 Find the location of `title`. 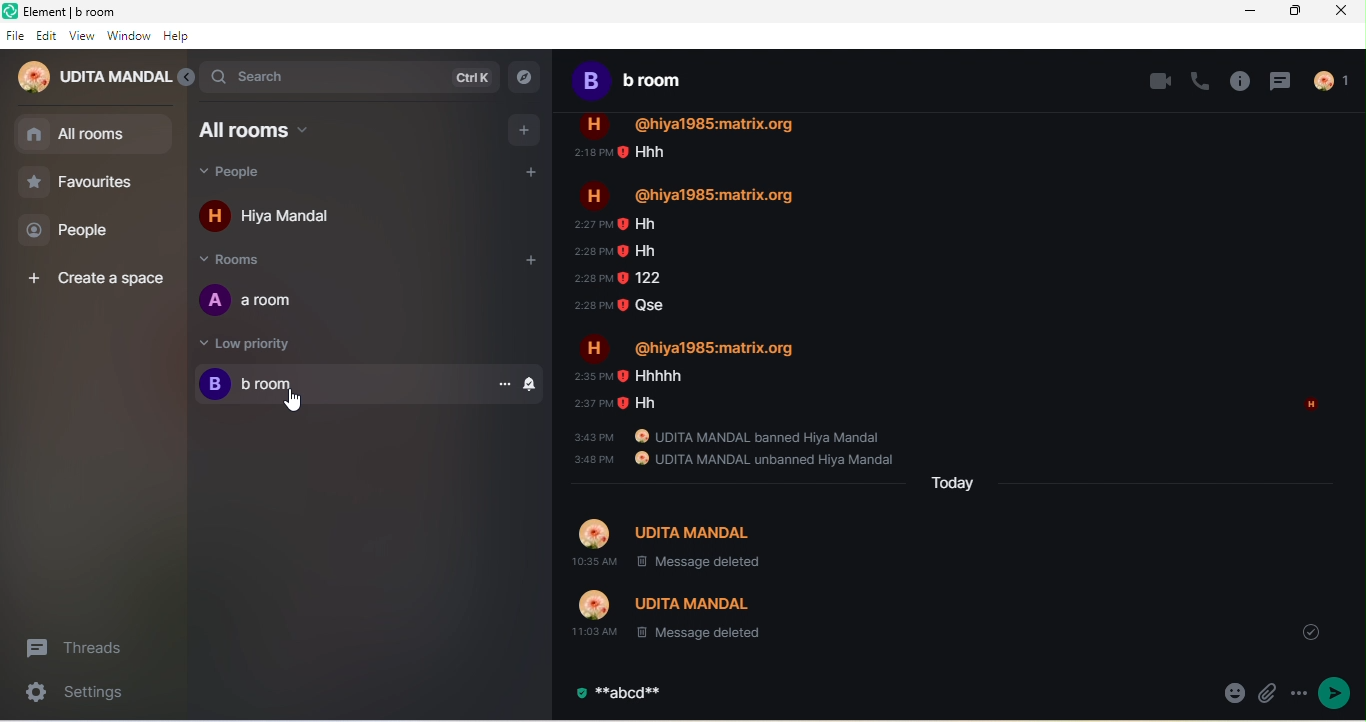

title is located at coordinates (100, 13).